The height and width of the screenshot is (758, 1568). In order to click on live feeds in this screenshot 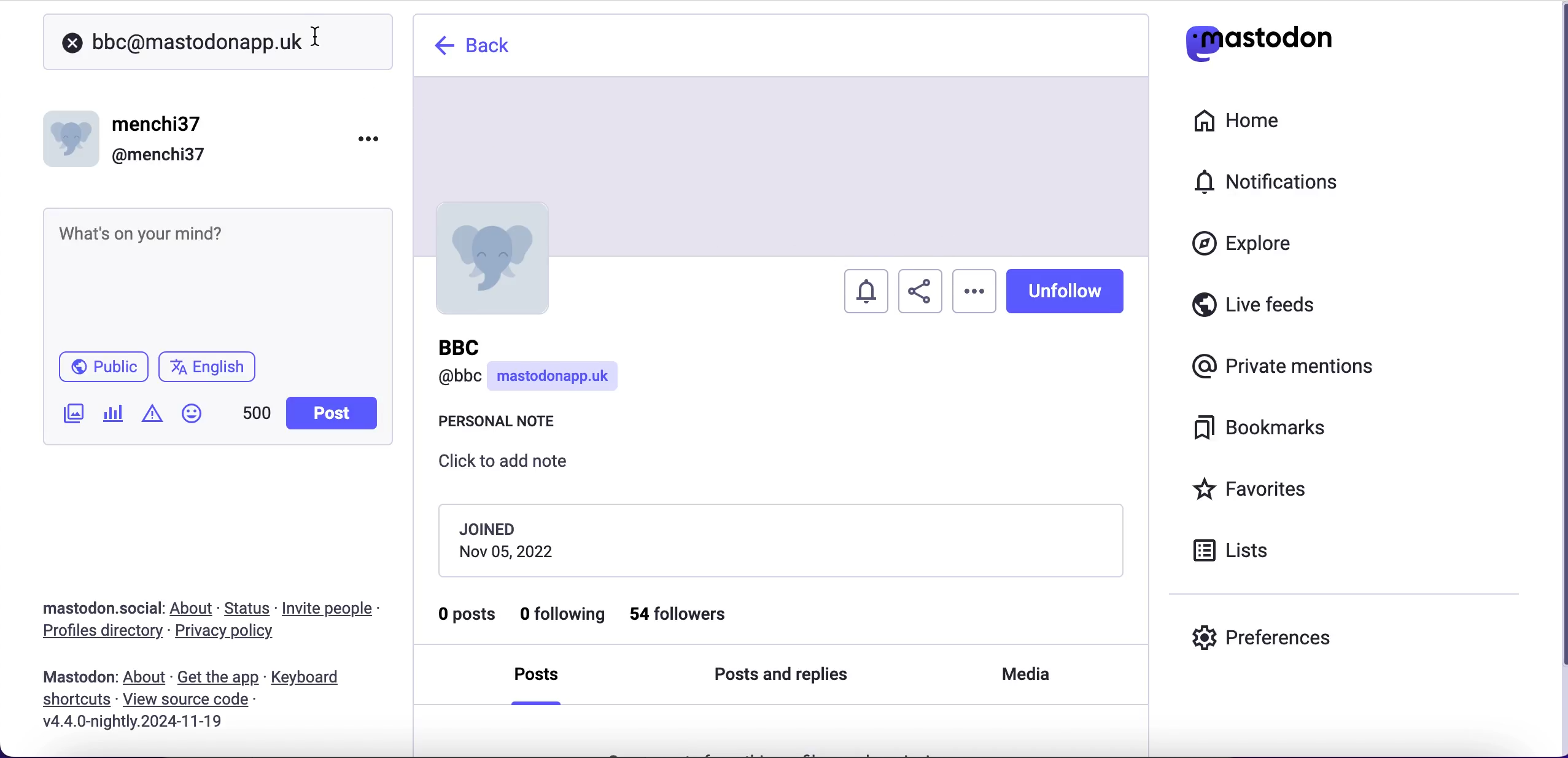, I will do `click(1254, 309)`.